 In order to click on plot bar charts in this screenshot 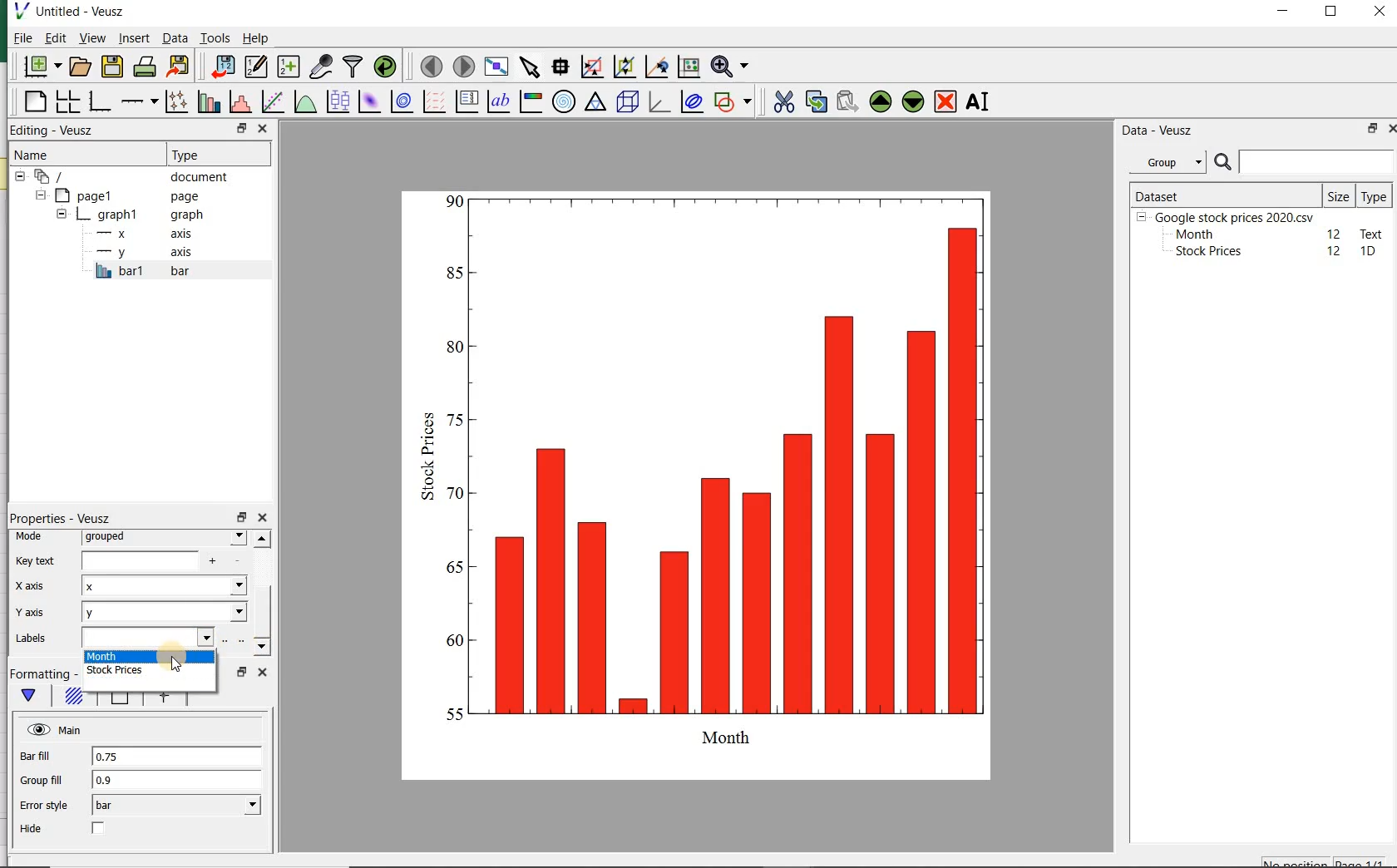, I will do `click(206, 103)`.